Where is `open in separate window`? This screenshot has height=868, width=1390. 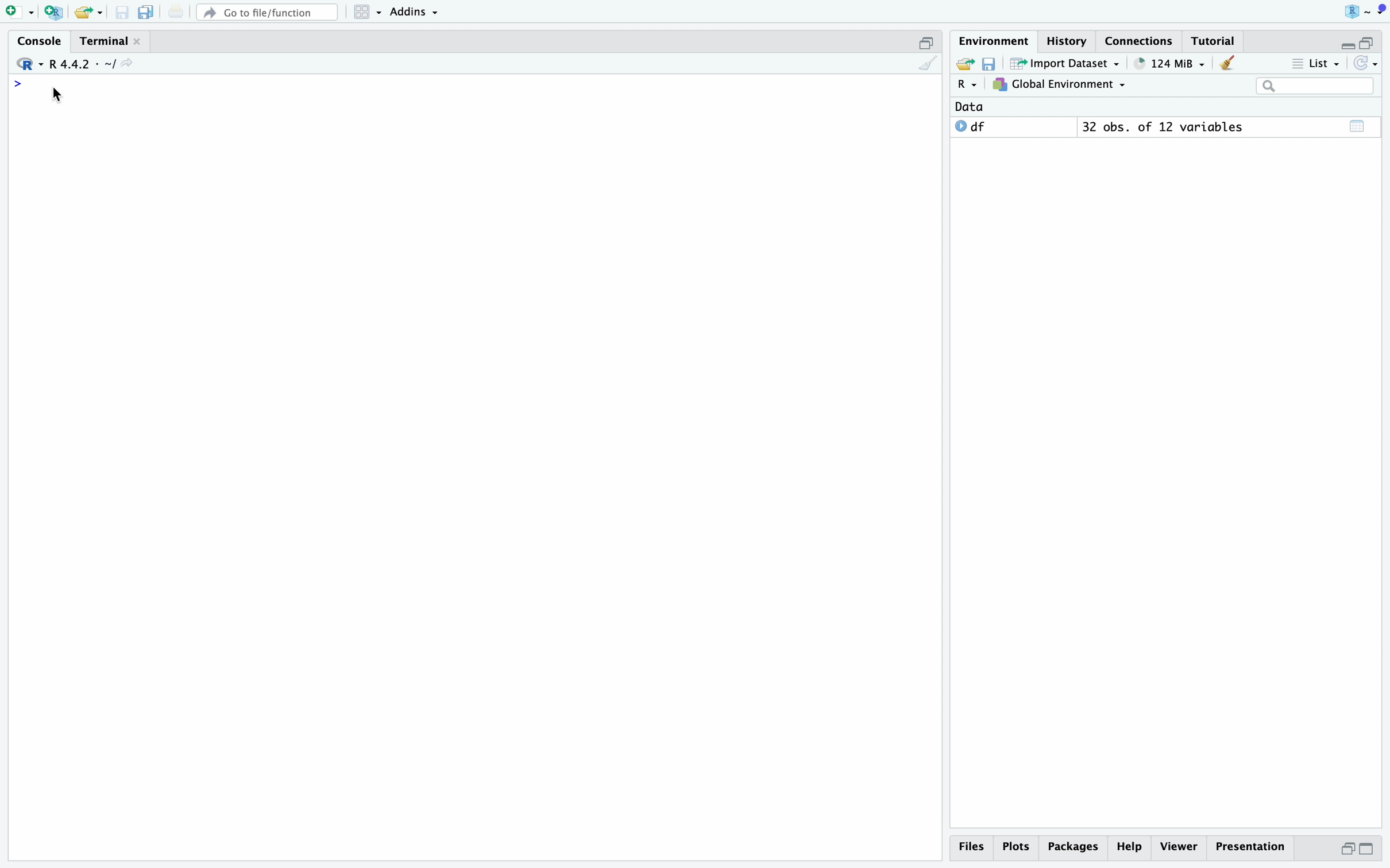 open in separate window is located at coordinates (927, 43).